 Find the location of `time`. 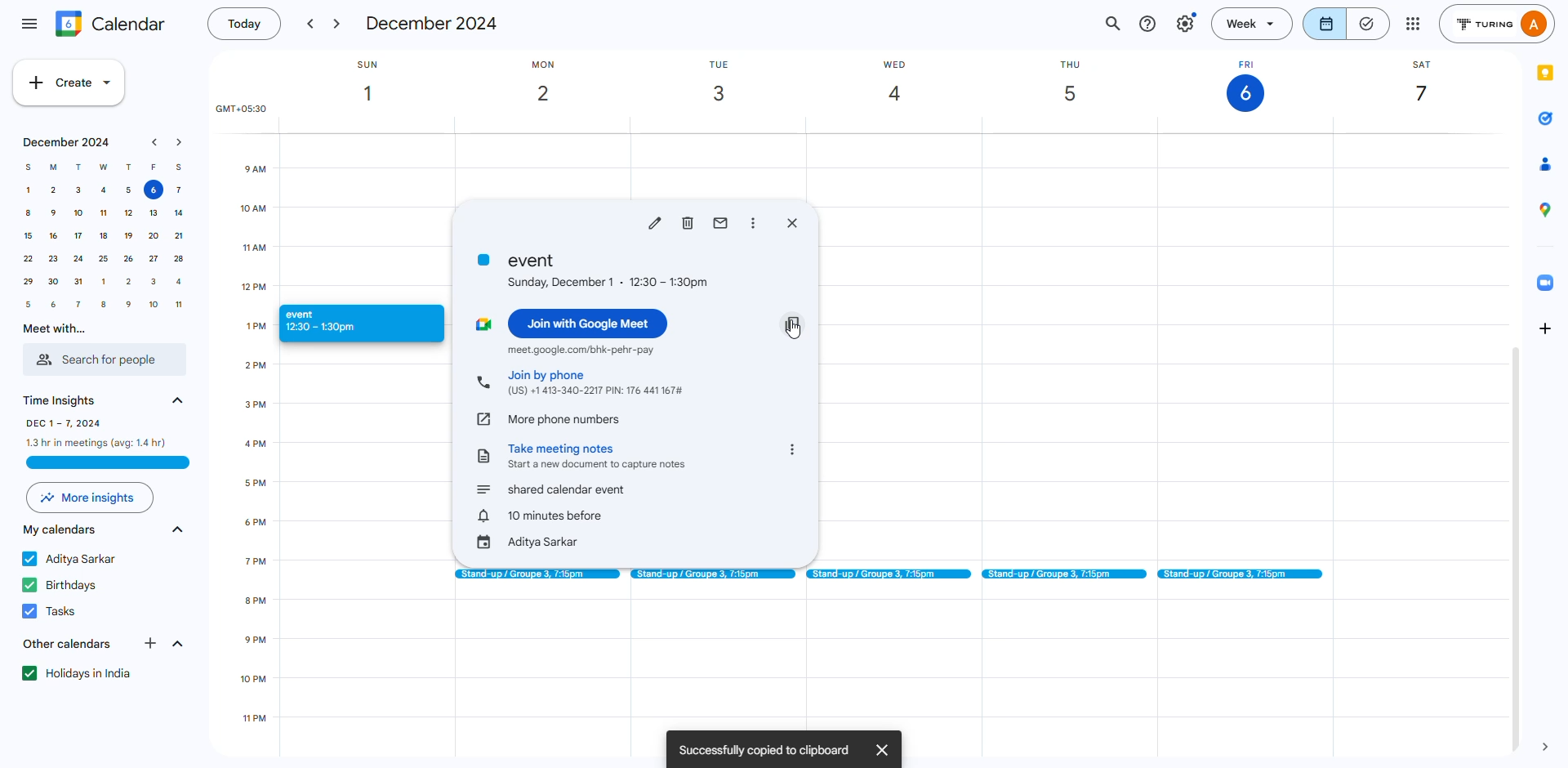

time is located at coordinates (543, 516).